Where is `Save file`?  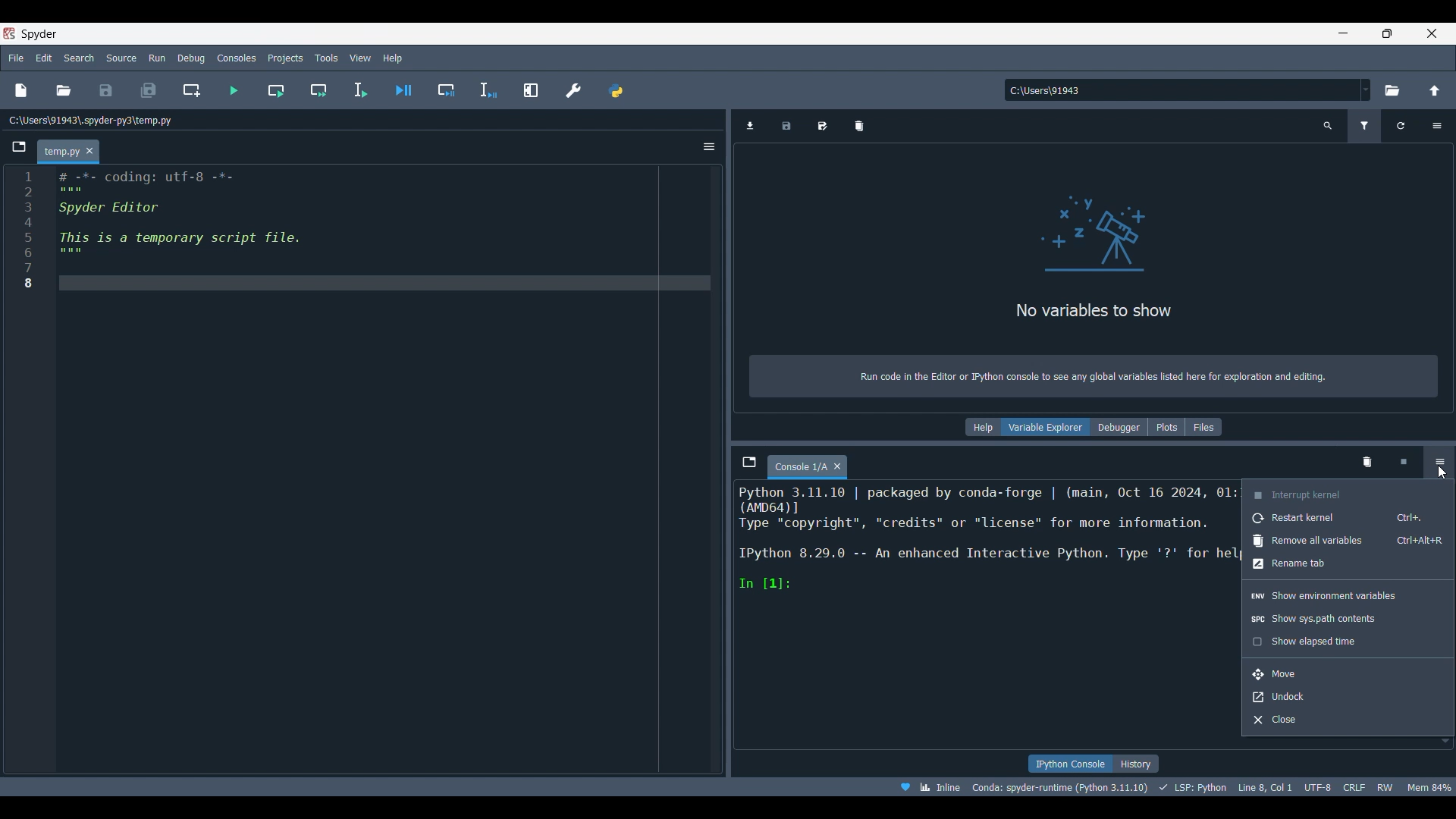
Save file is located at coordinates (107, 90).